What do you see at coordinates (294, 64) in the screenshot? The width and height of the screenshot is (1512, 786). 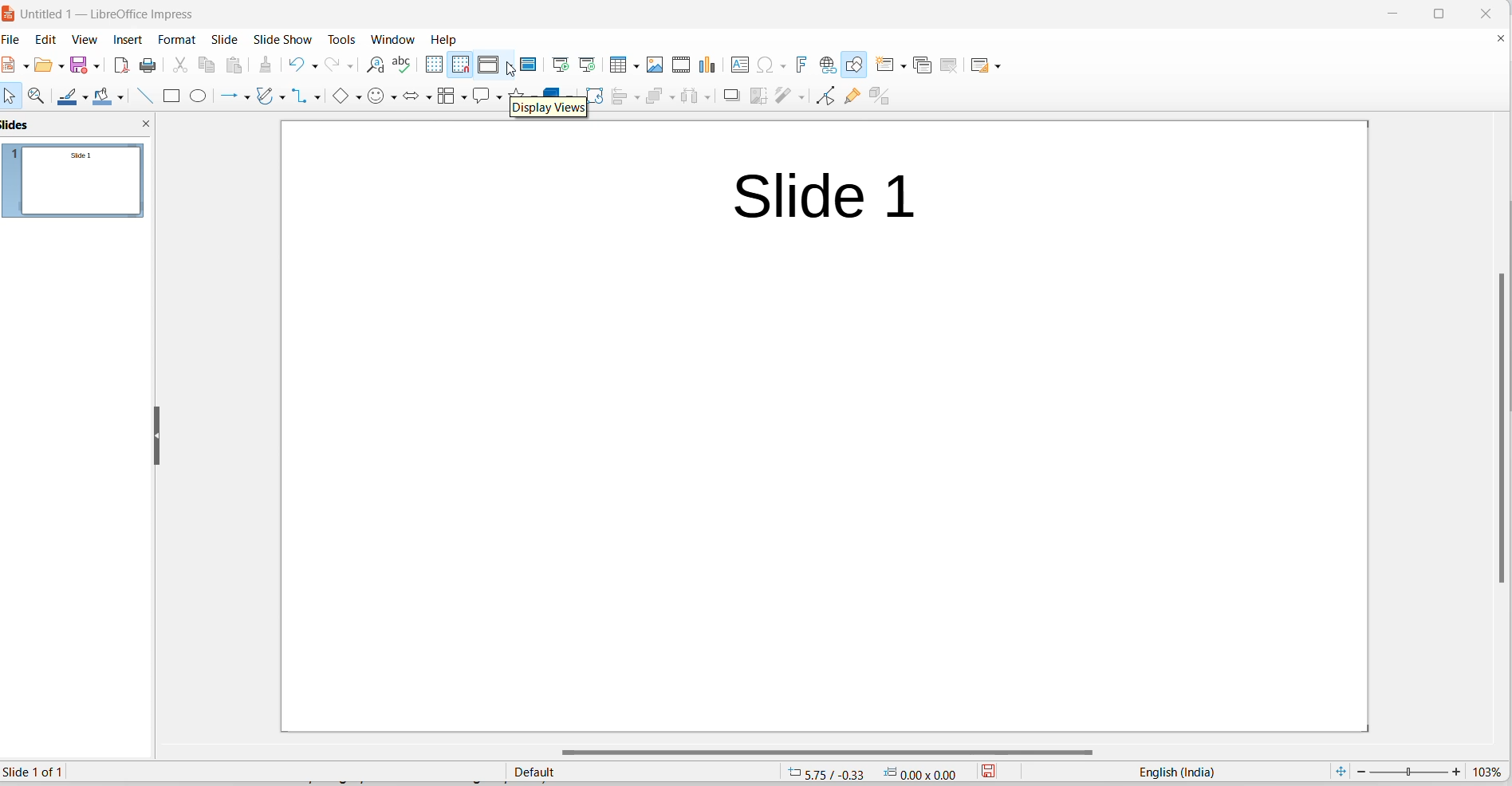 I see `undo` at bounding box center [294, 64].